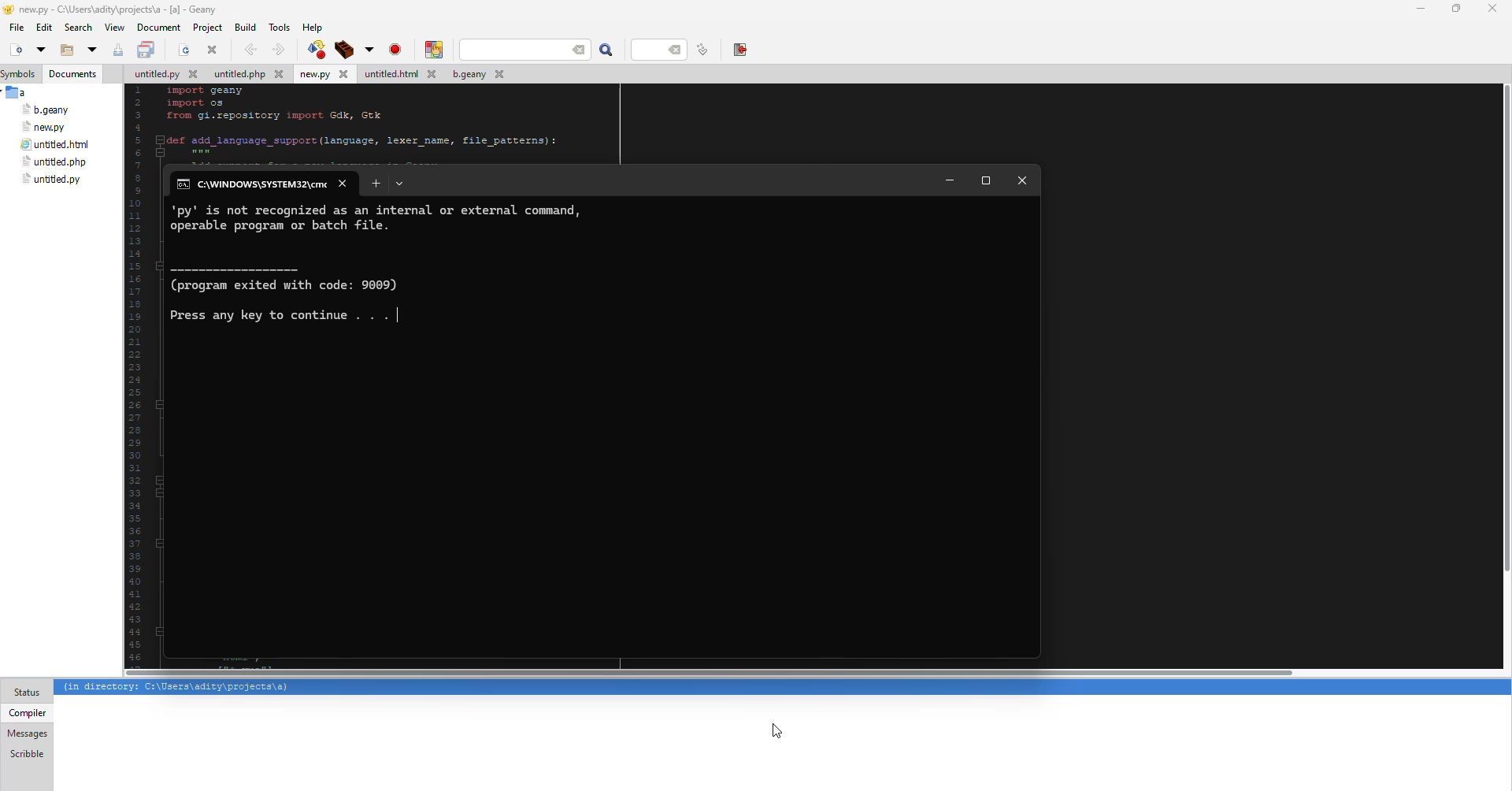 The image size is (1512, 791). I want to click on scribble, so click(28, 753).